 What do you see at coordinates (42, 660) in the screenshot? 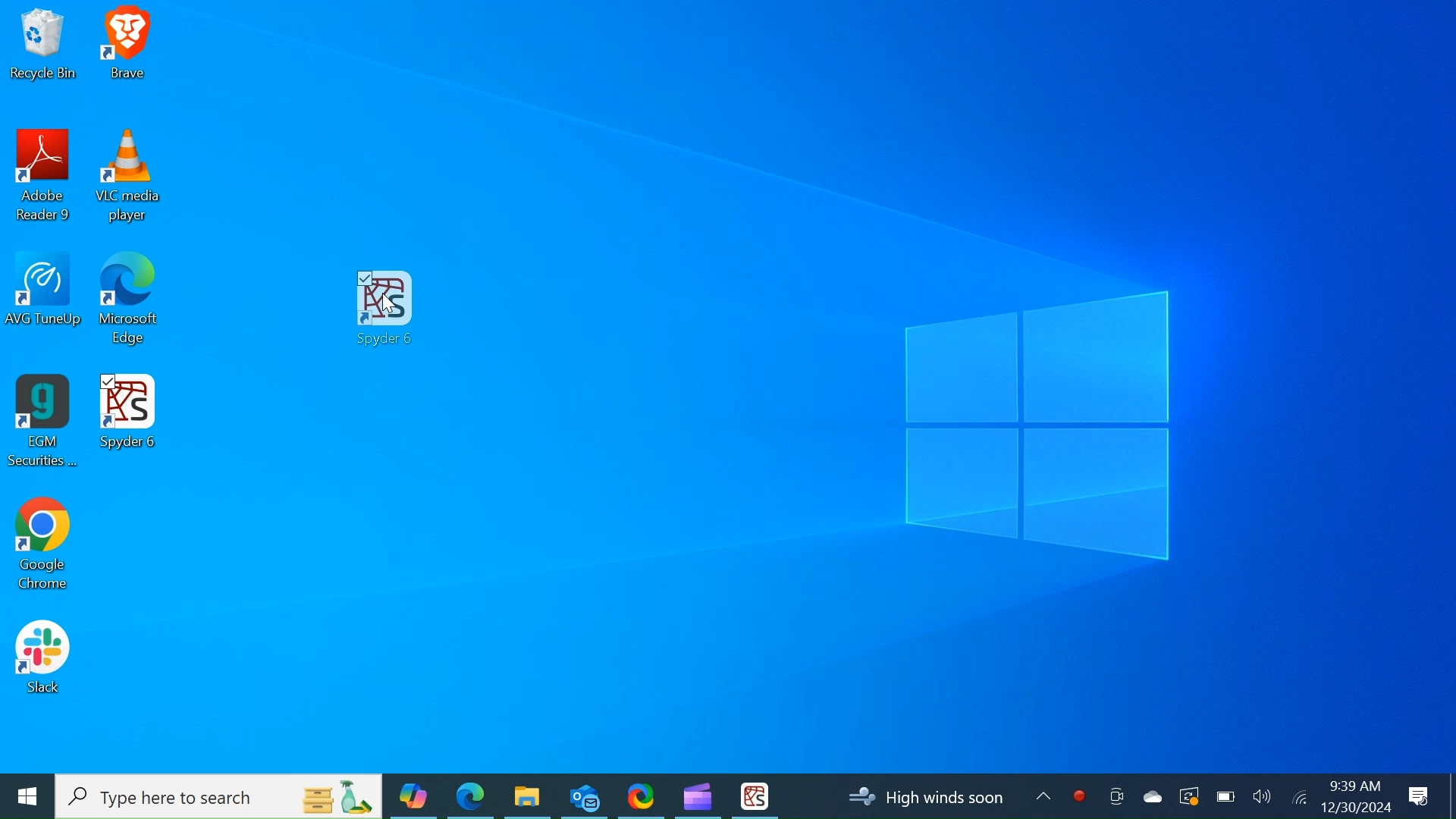
I see `Slack Desktop Icon` at bounding box center [42, 660].